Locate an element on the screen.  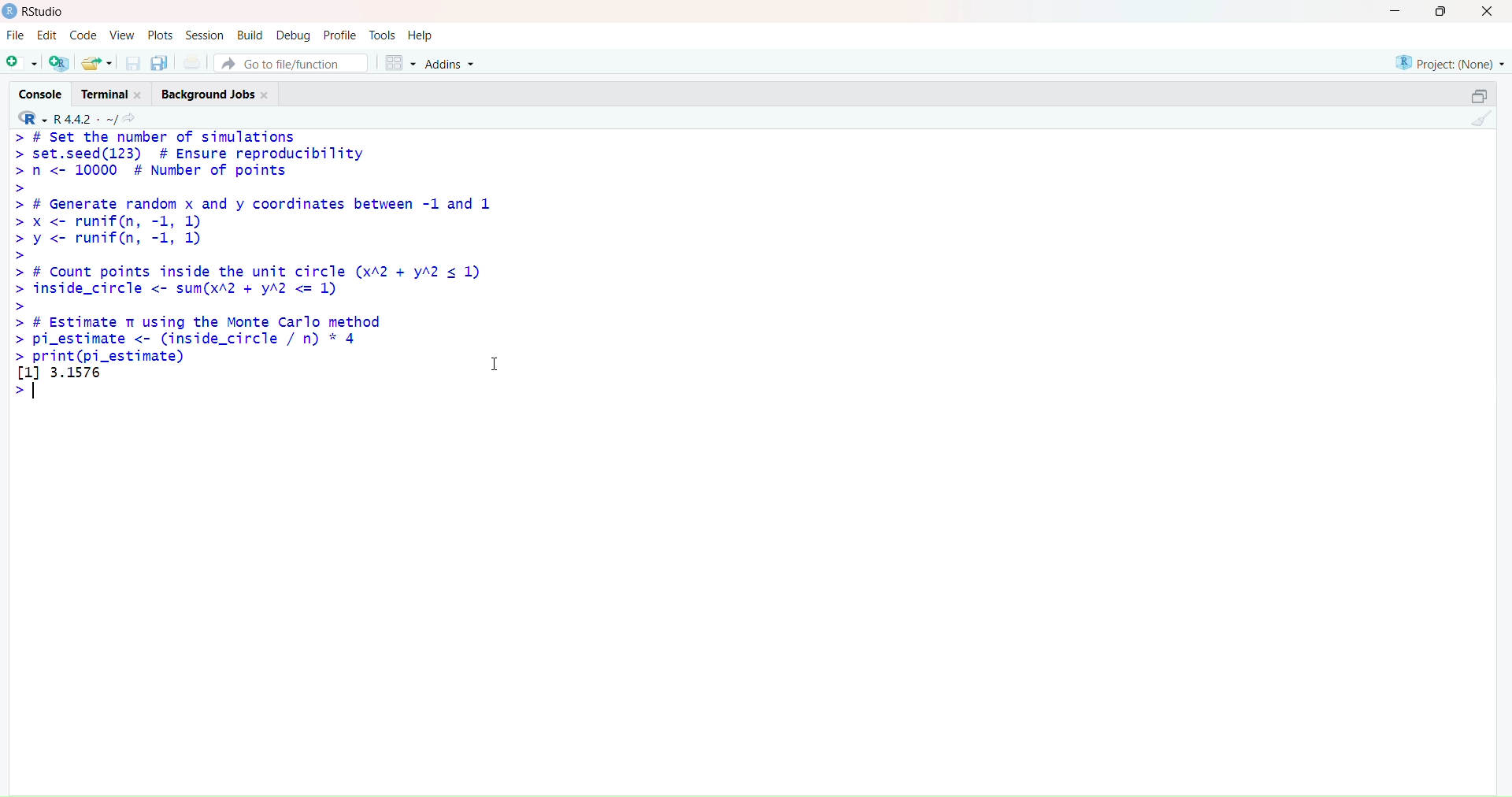
New File is located at coordinates (22, 63).